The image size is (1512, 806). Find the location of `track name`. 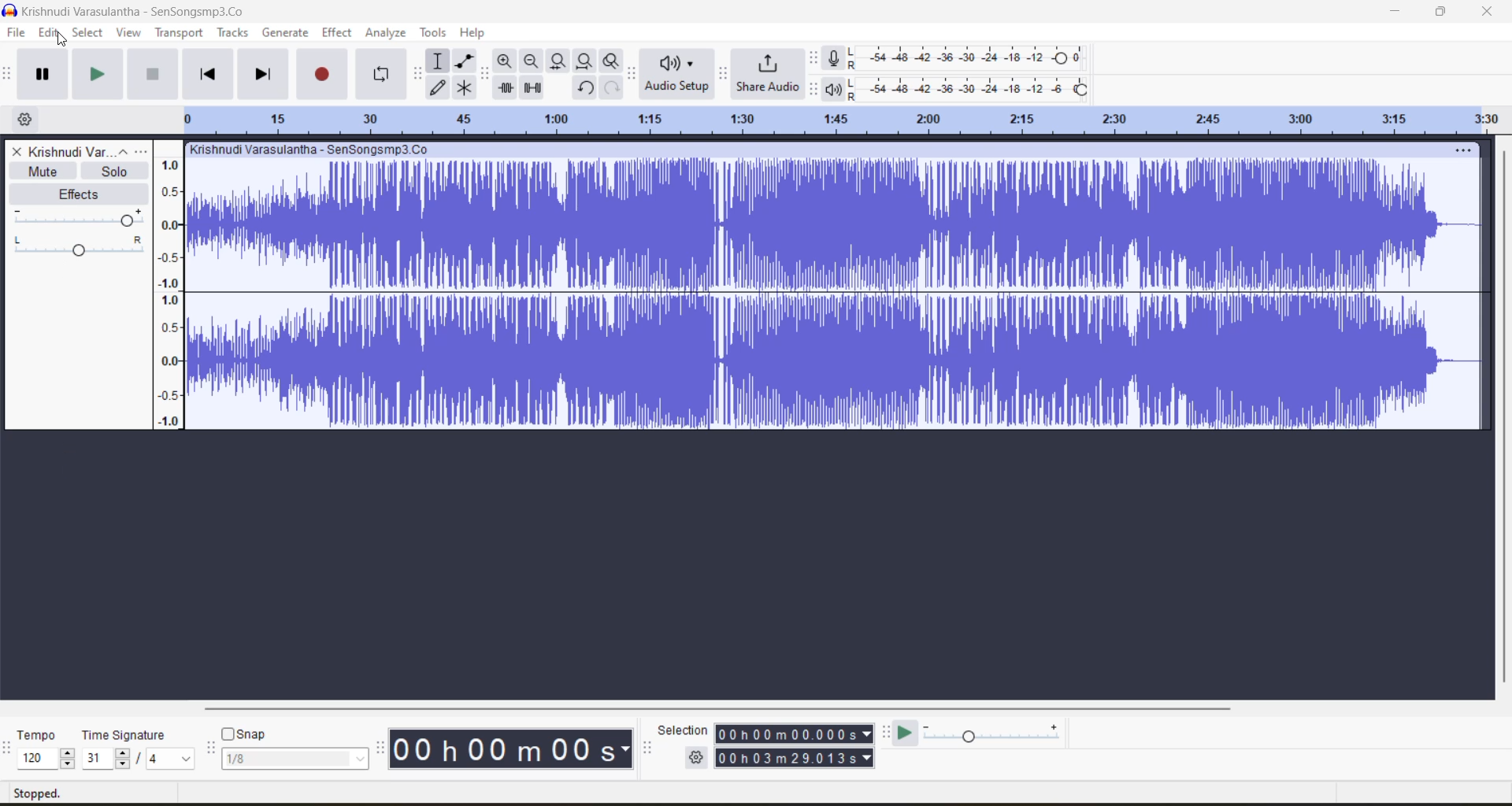

track name is located at coordinates (312, 151).